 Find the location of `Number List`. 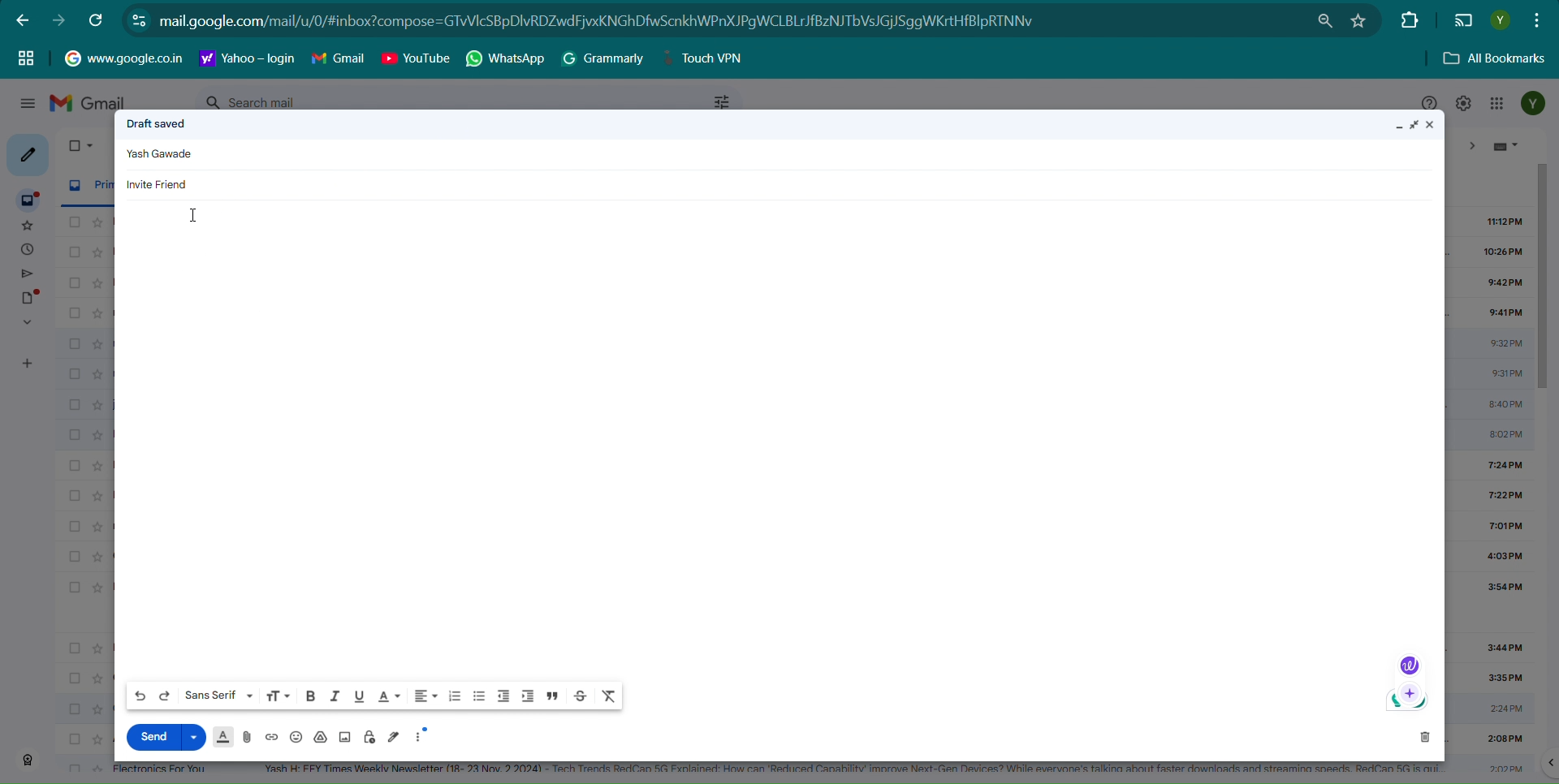

Number List is located at coordinates (455, 696).